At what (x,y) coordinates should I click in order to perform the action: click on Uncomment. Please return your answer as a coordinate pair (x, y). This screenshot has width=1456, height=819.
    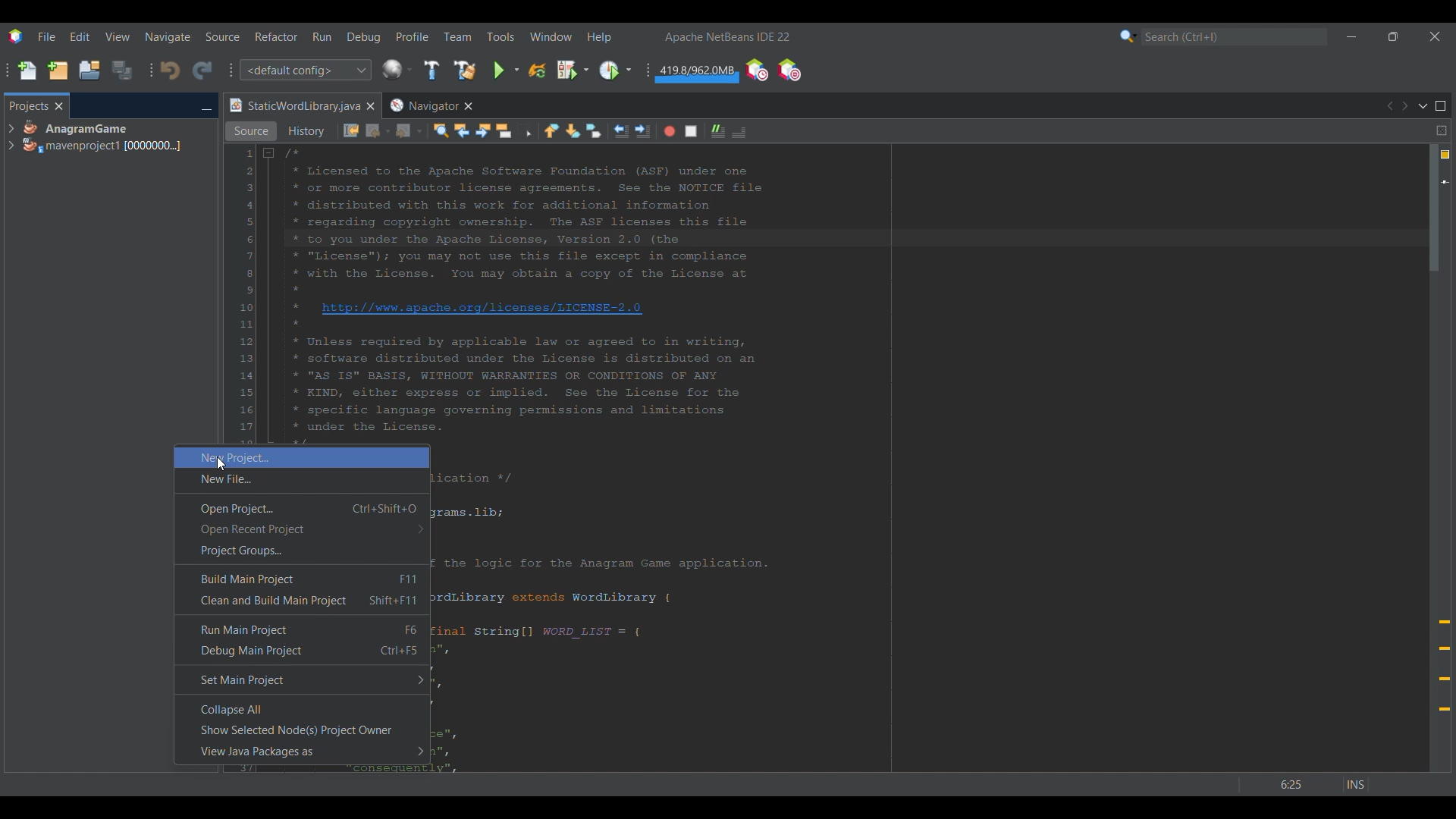
    Looking at the image, I should click on (718, 131).